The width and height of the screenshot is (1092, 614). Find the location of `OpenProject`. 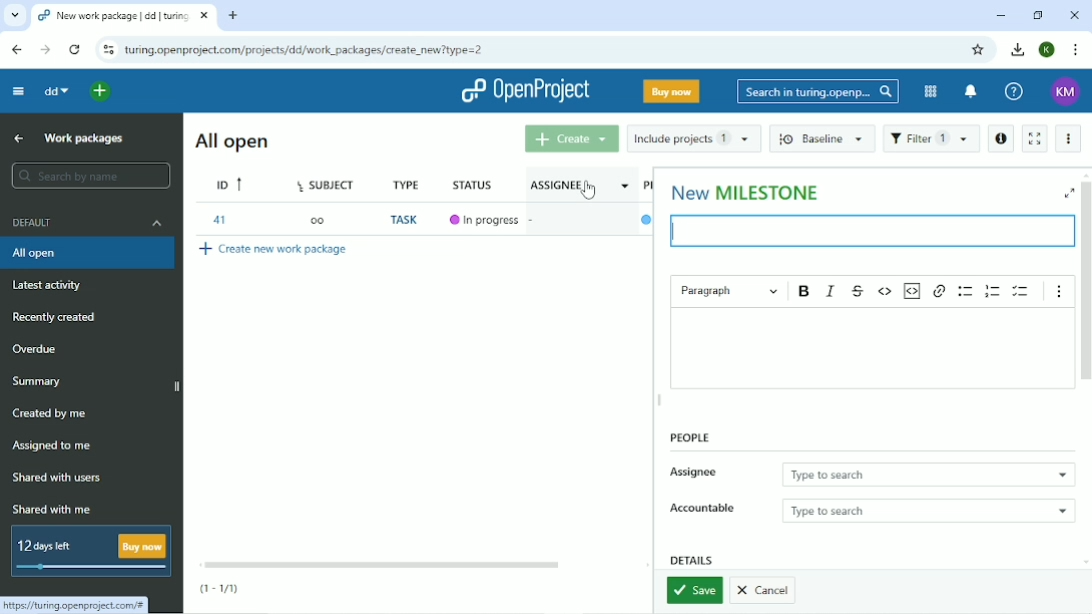

OpenProject is located at coordinates (523, 91).